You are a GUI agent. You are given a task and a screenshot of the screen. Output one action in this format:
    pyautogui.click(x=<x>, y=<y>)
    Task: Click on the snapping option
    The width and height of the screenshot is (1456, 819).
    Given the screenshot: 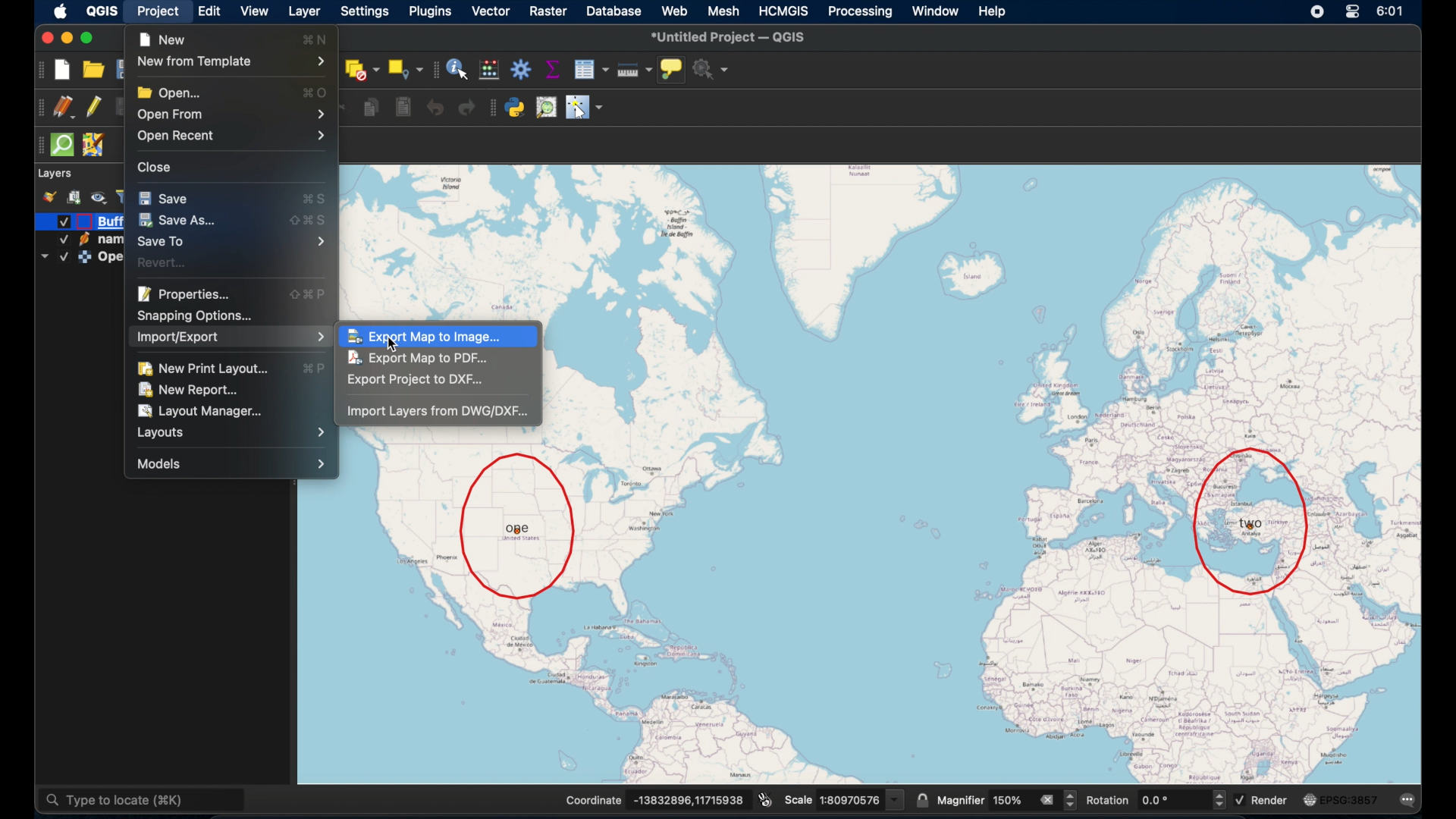 What is the action you would take?
    pyautogui.click(x=198, y=315)
    